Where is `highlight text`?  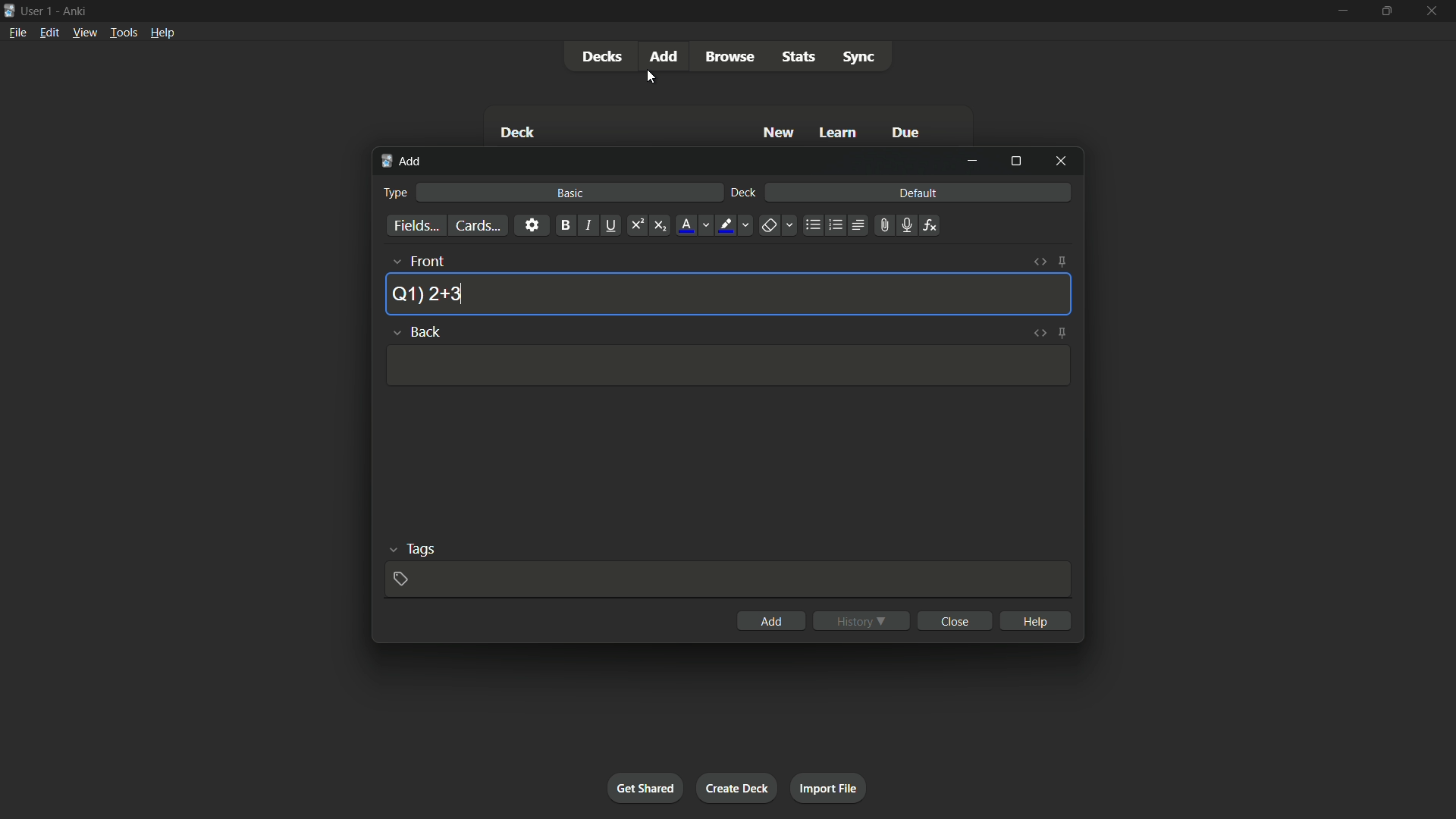 highlight text is located at coordinates (723, 226).